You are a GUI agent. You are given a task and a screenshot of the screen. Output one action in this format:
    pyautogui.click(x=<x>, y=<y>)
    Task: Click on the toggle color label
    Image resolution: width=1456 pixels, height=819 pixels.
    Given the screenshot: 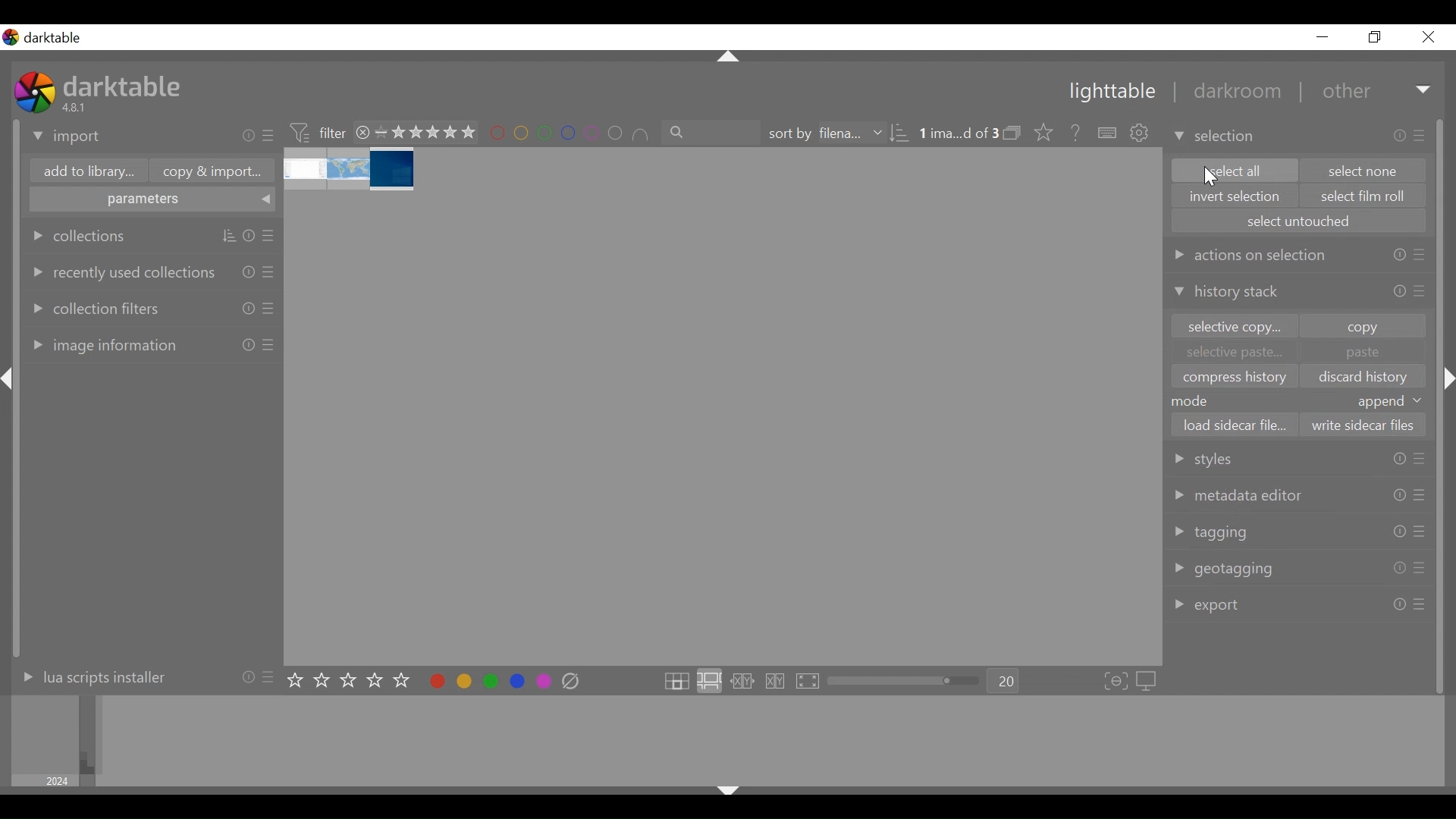 What is the action you would take?
    pyautogui.click(x=486, y=680)
    